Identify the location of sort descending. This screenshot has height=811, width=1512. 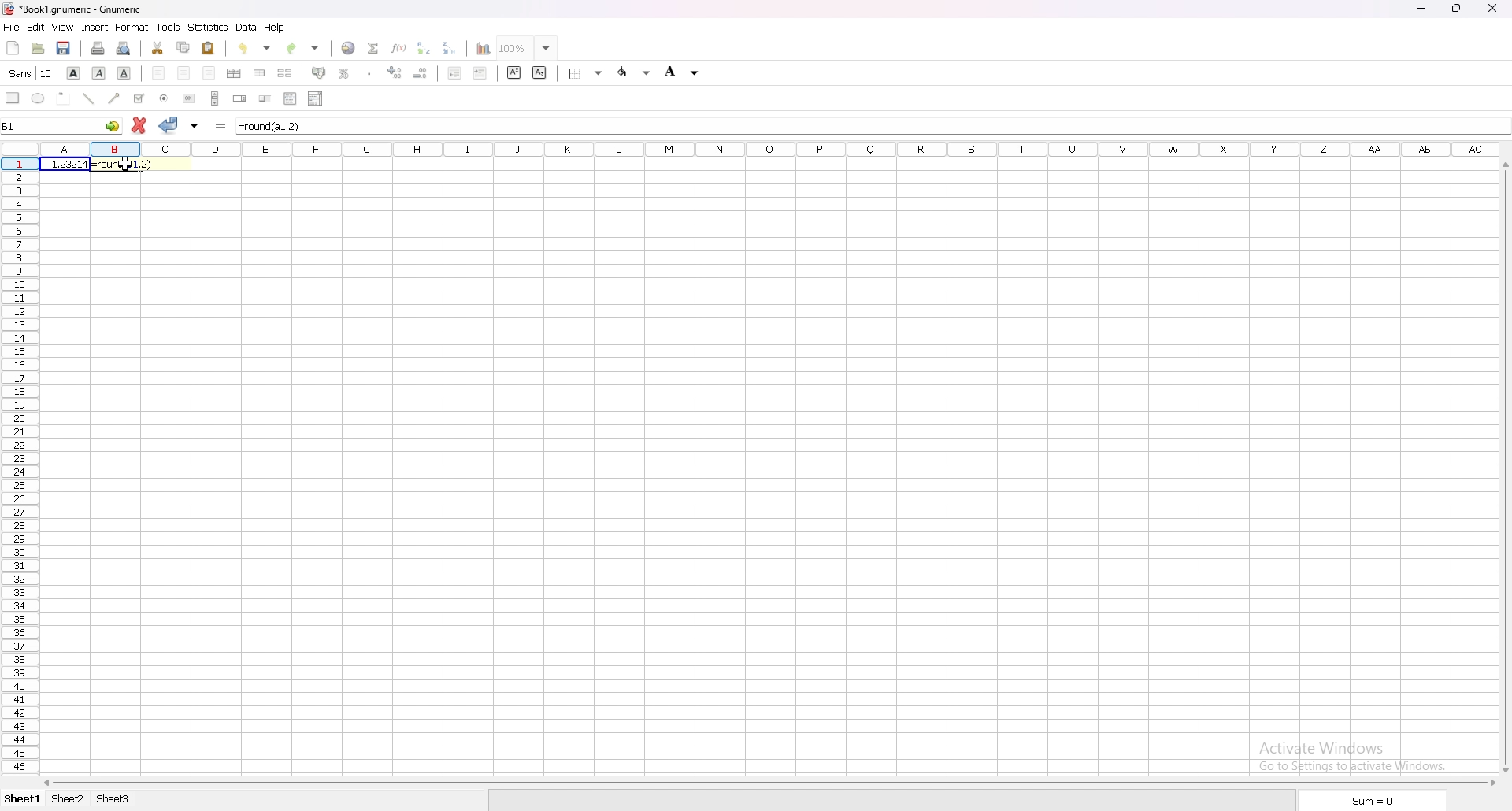
(450, 47).